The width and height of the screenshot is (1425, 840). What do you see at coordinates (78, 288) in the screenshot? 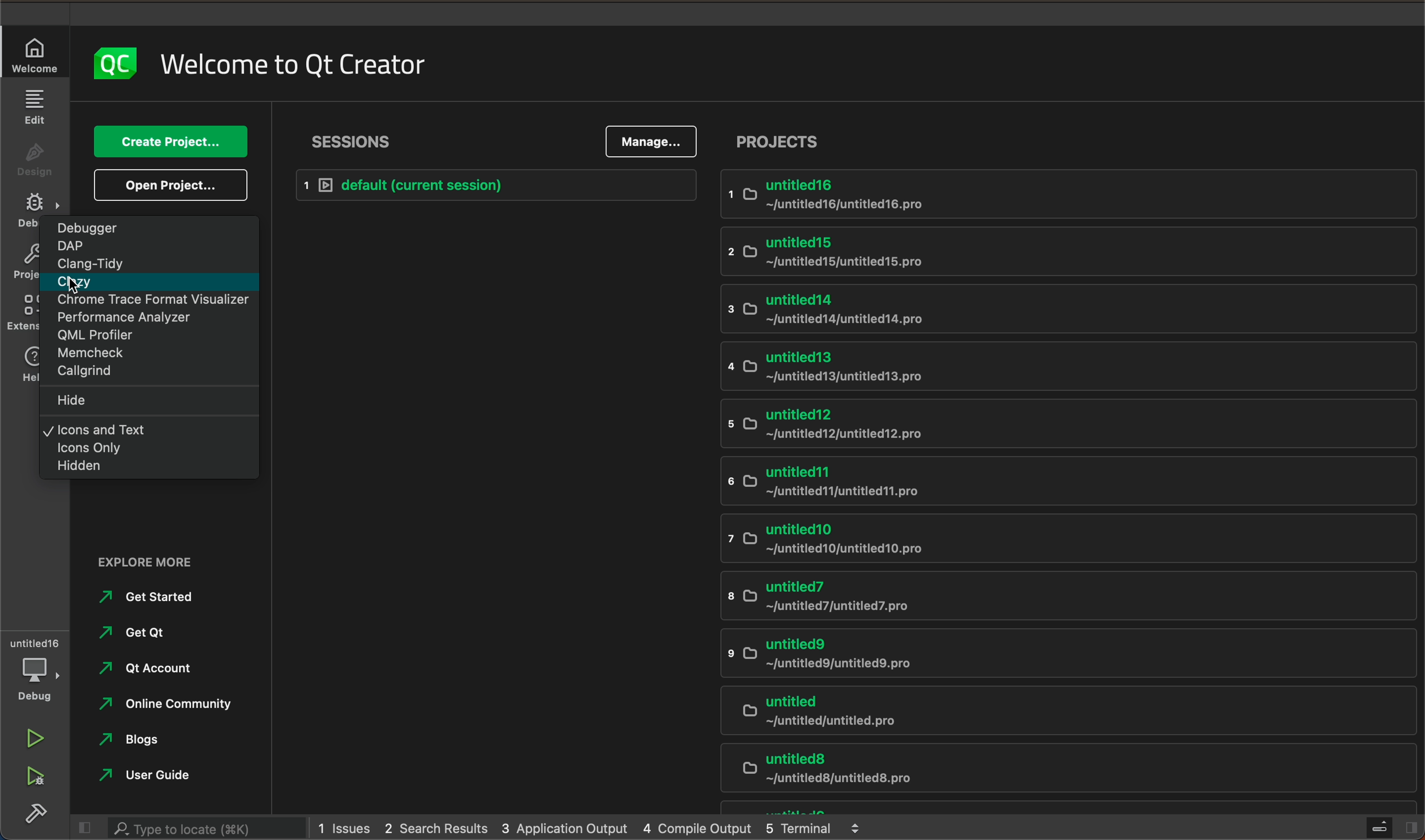
I see `cursor` at bounding box center [78, 288].